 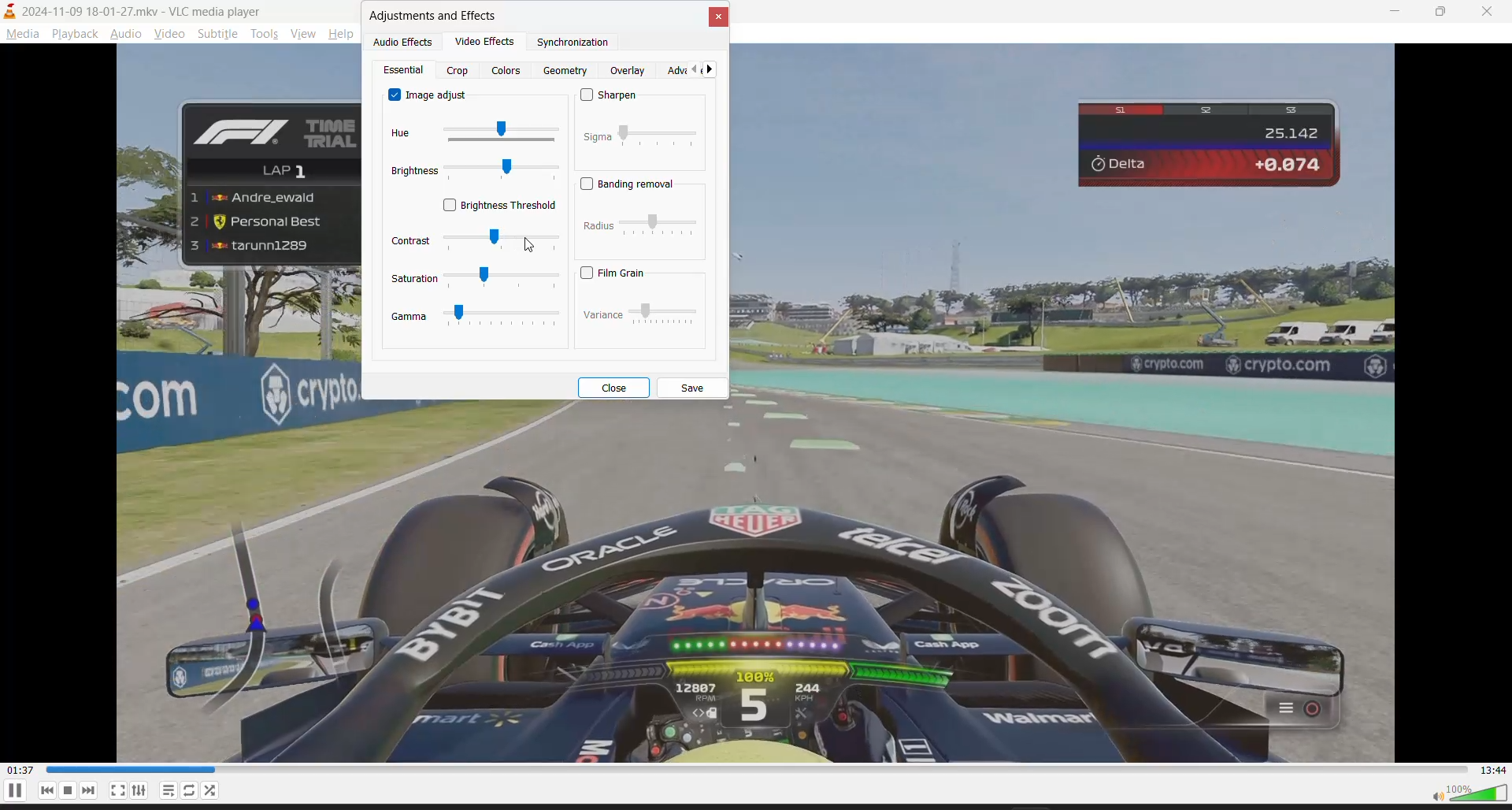 What do you see at coordinates (67, 790) in the screenshot?
I see `stop` at bounding box center [67, 790].